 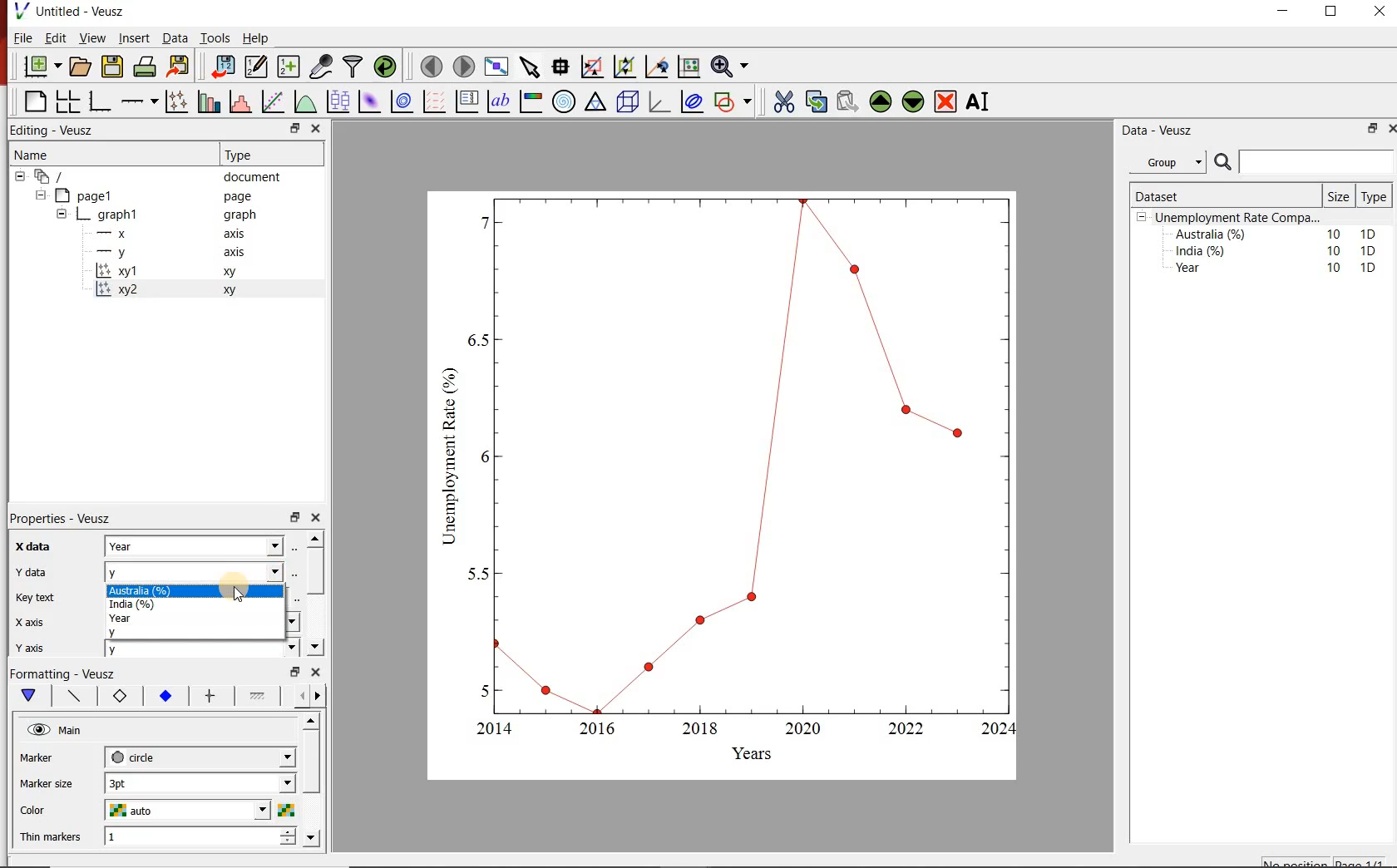 What do you see at coordinates (314, 569) in the screenshot?
I see `scroll bar` at bounding box center [314, 569].